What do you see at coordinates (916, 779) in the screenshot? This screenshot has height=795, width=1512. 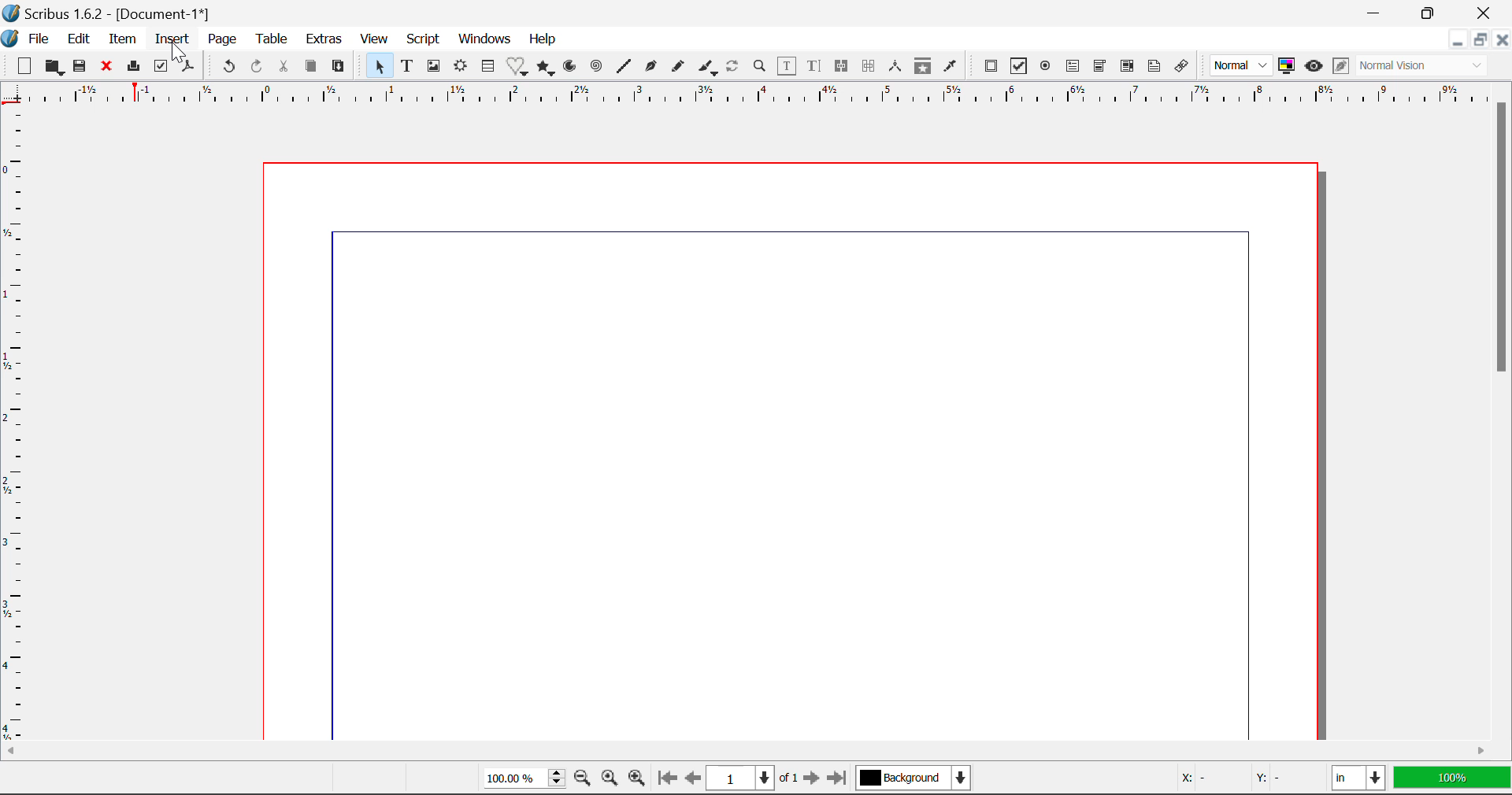 I see `Background` at bounding box center [916, 779].